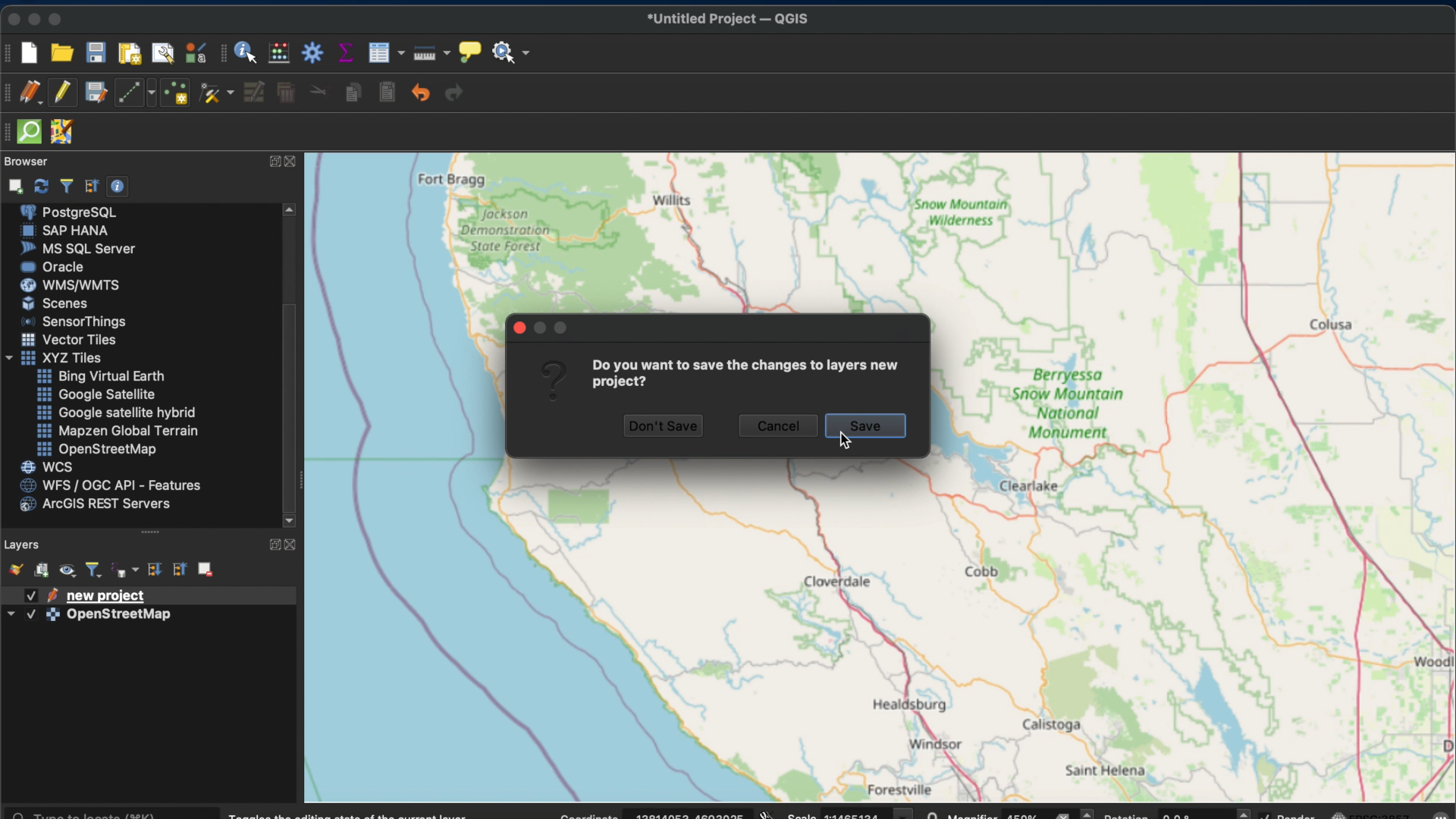 This screenshot has height=819, width=1456. Describe the element at coordinates (727, 19) in the screenshot. I see `untitled project QGIS` at that location.